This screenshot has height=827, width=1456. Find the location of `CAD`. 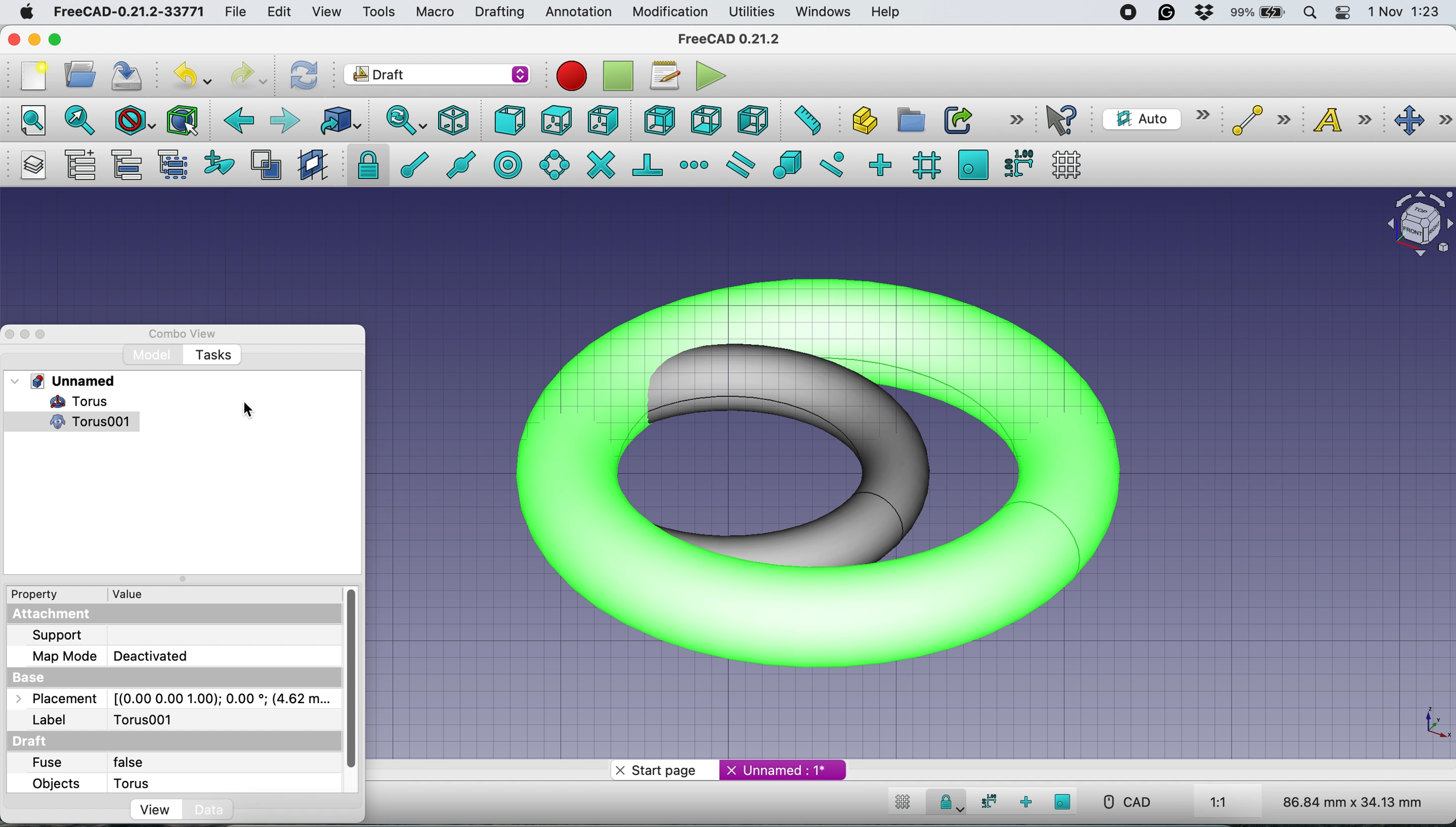

CAD is located at coordinates (1121, 802).